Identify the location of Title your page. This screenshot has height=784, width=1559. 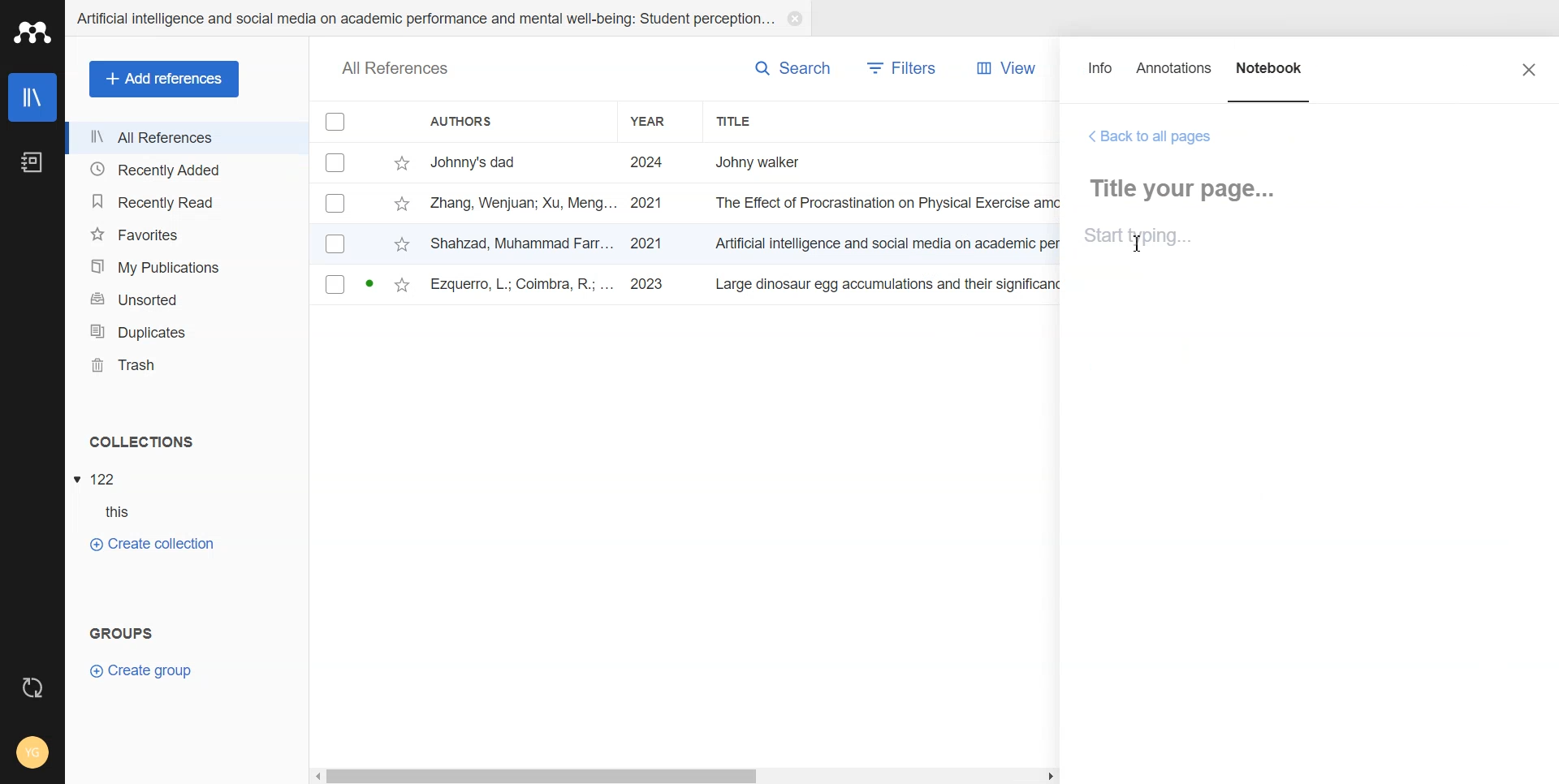
(1190, 188).